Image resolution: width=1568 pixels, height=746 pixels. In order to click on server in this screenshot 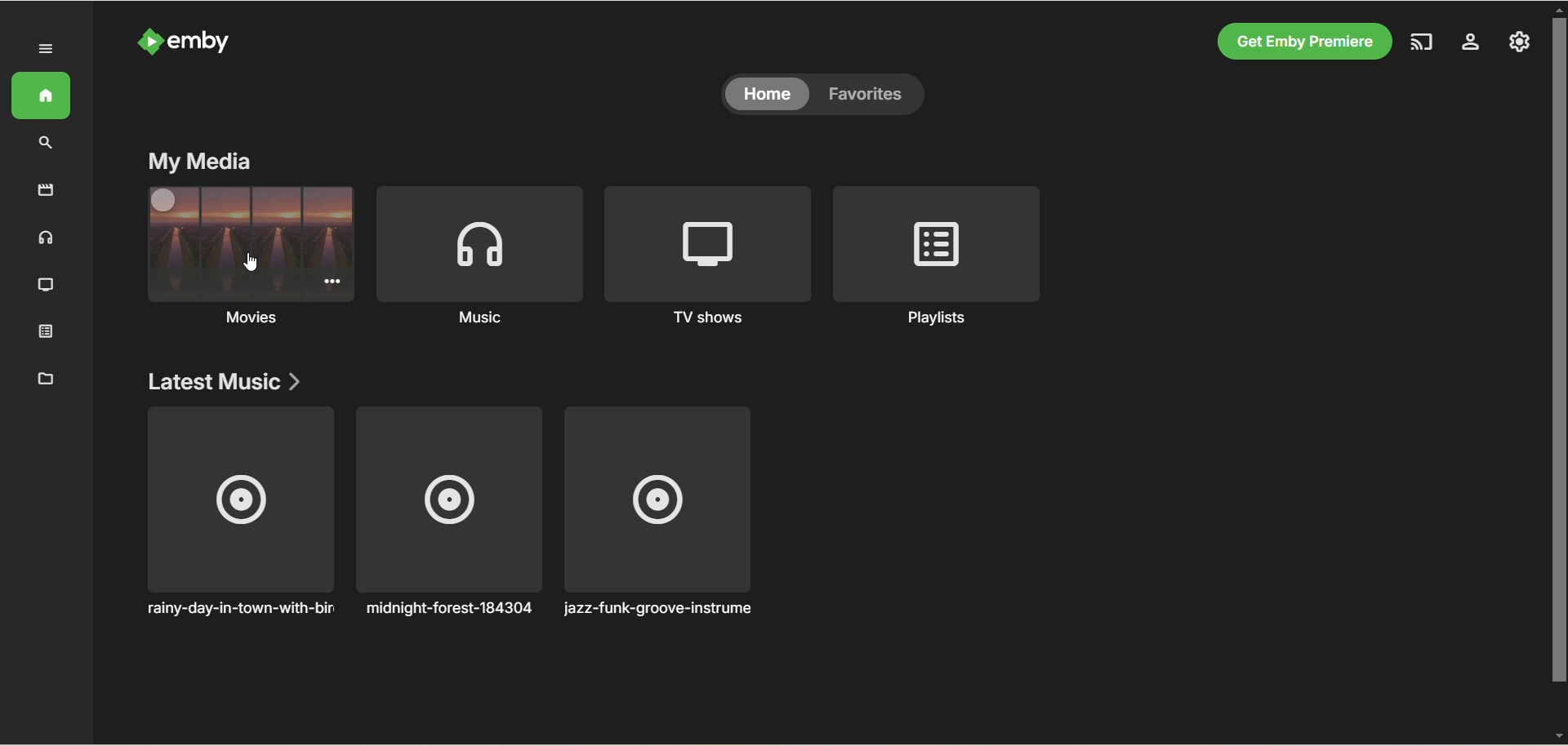, I will do `click(1471, 44)`.